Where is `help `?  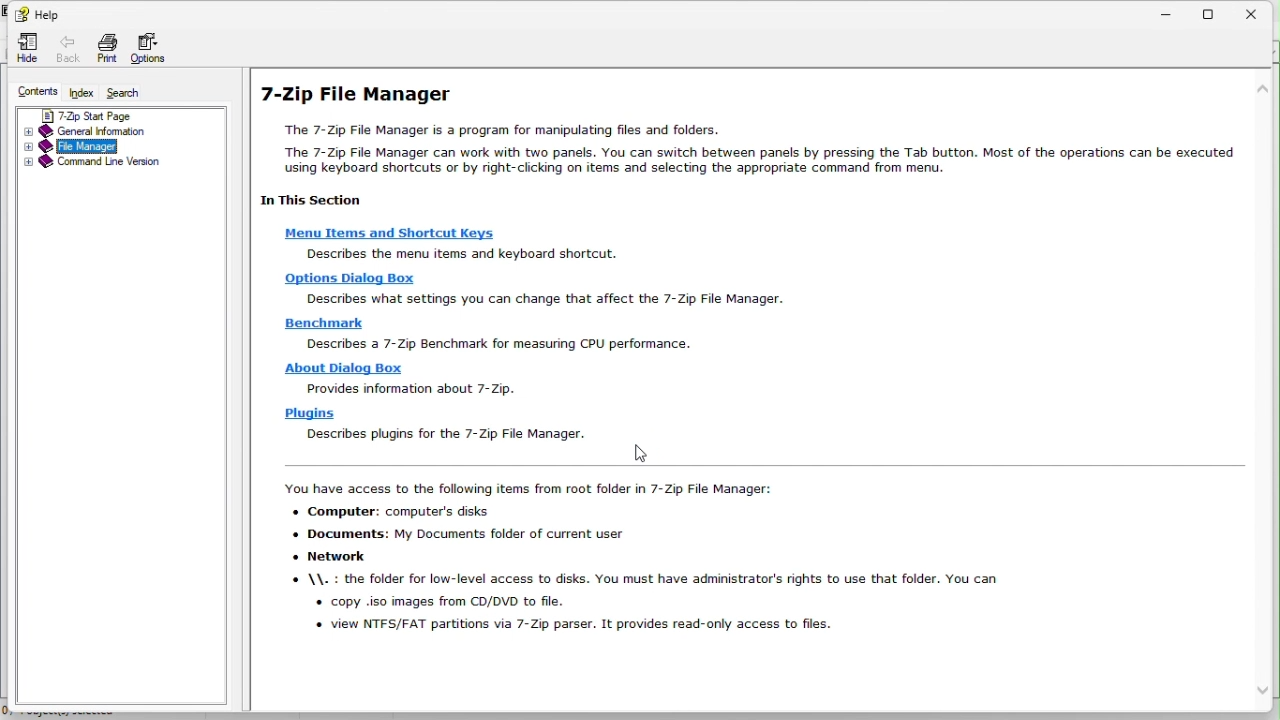
help  is located at coordinates (35, 13).